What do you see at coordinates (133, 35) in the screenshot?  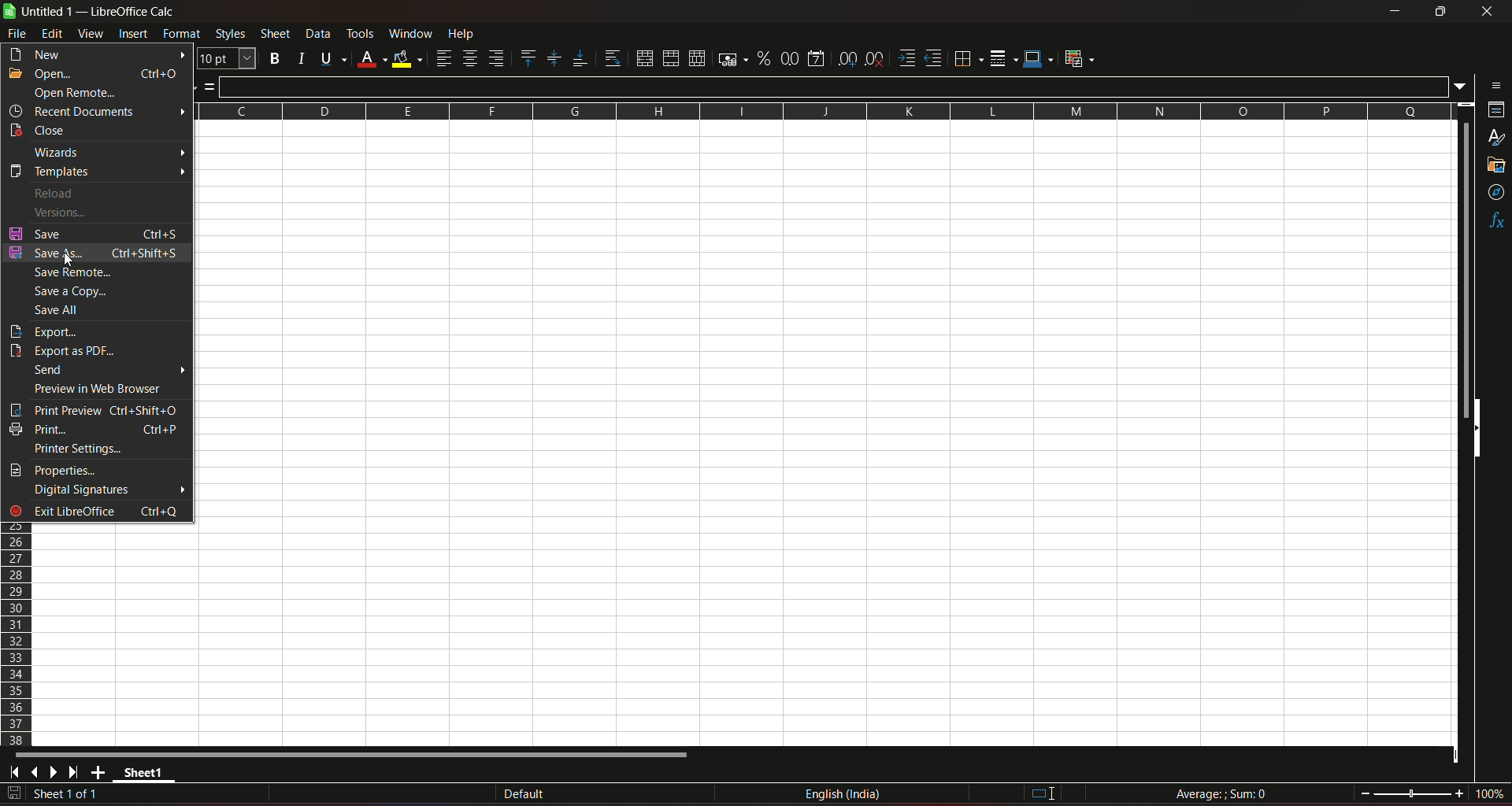 I see `insert` at bounding box center [133, 35].